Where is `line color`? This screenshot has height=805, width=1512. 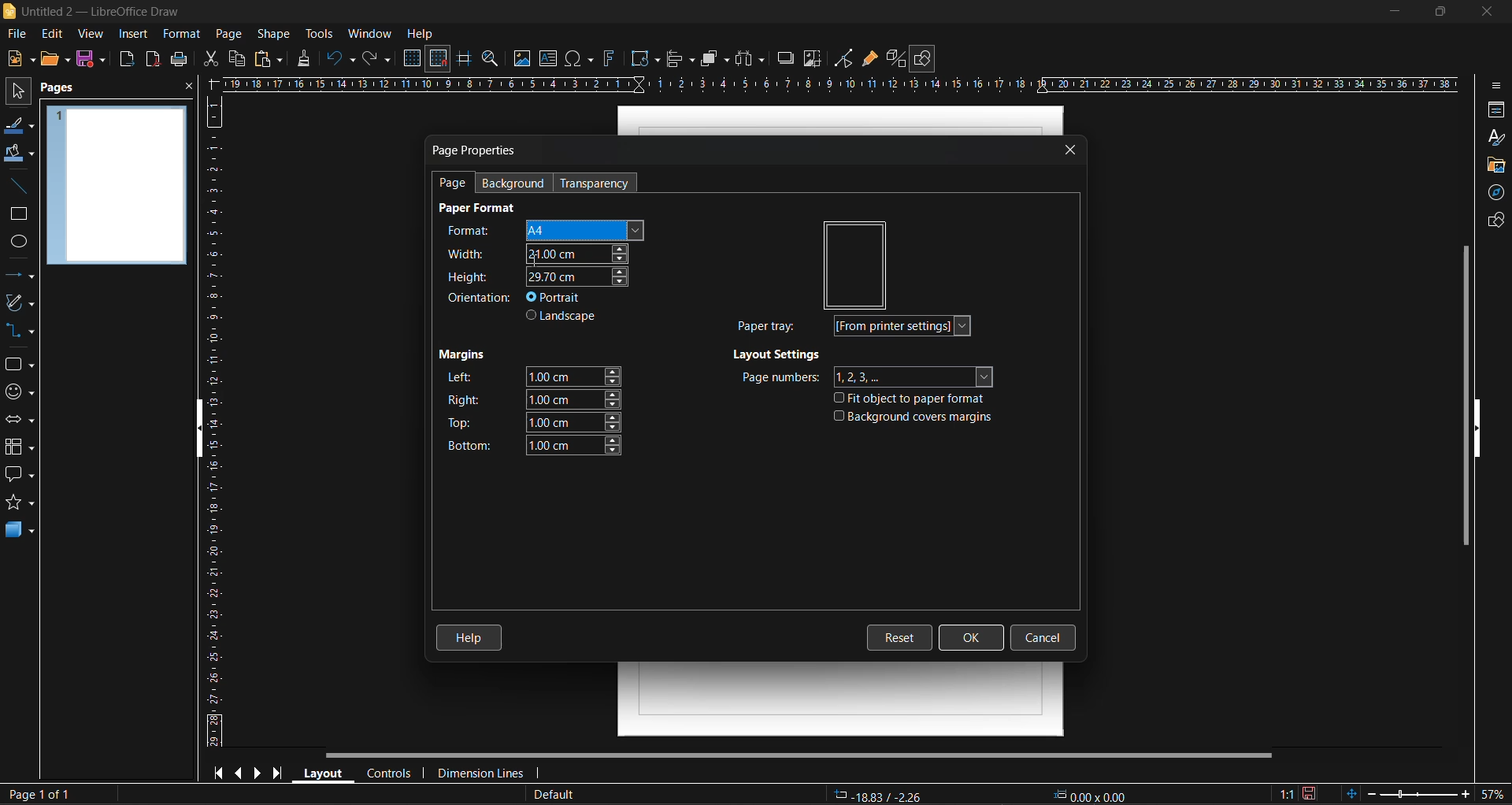 line color is located at coordinates (20, 128).